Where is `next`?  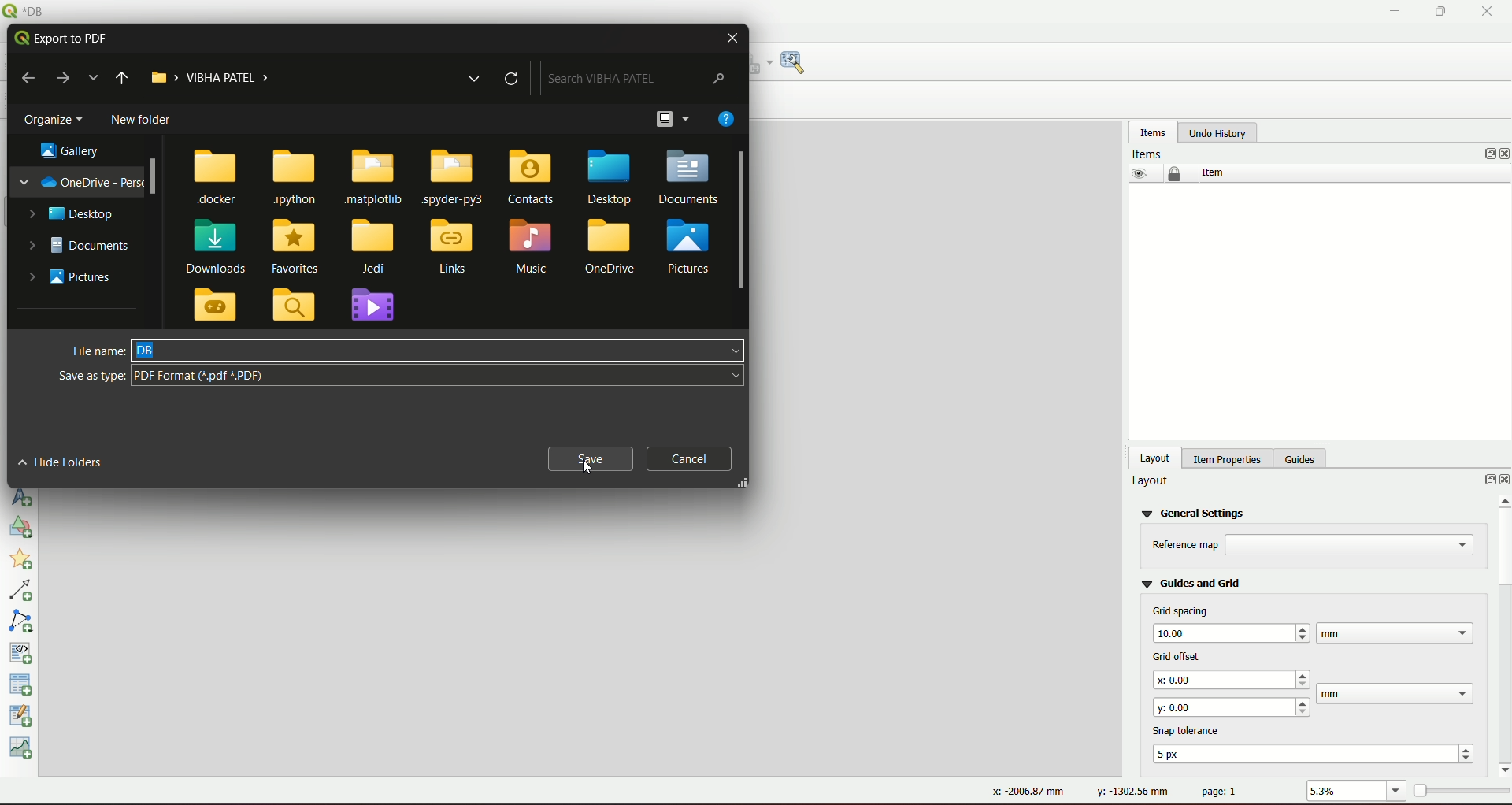
next is located at coordinates (63, 79).